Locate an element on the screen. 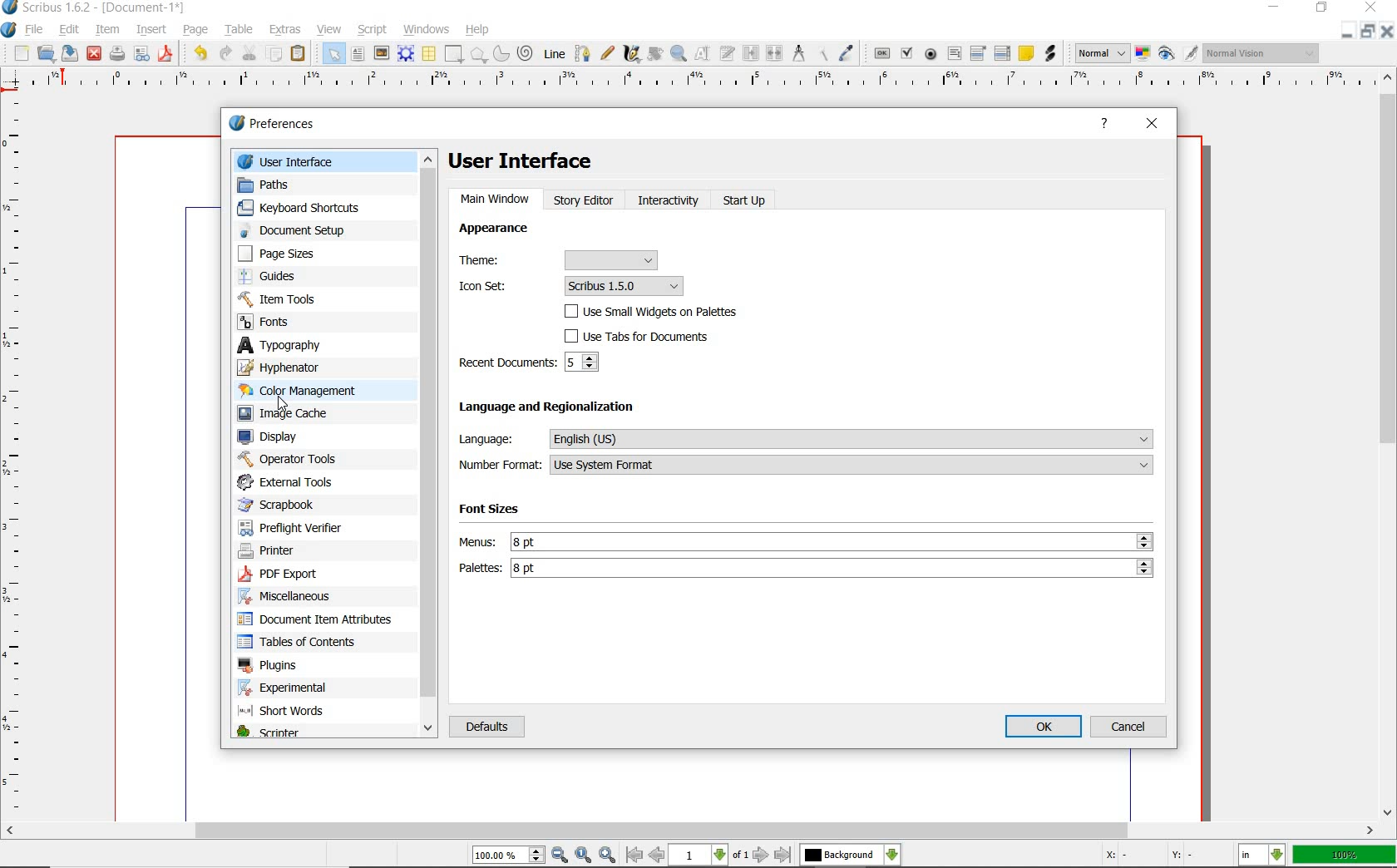 This screenshot has height=868, width=1397. table is located at coordinates (429, 55).